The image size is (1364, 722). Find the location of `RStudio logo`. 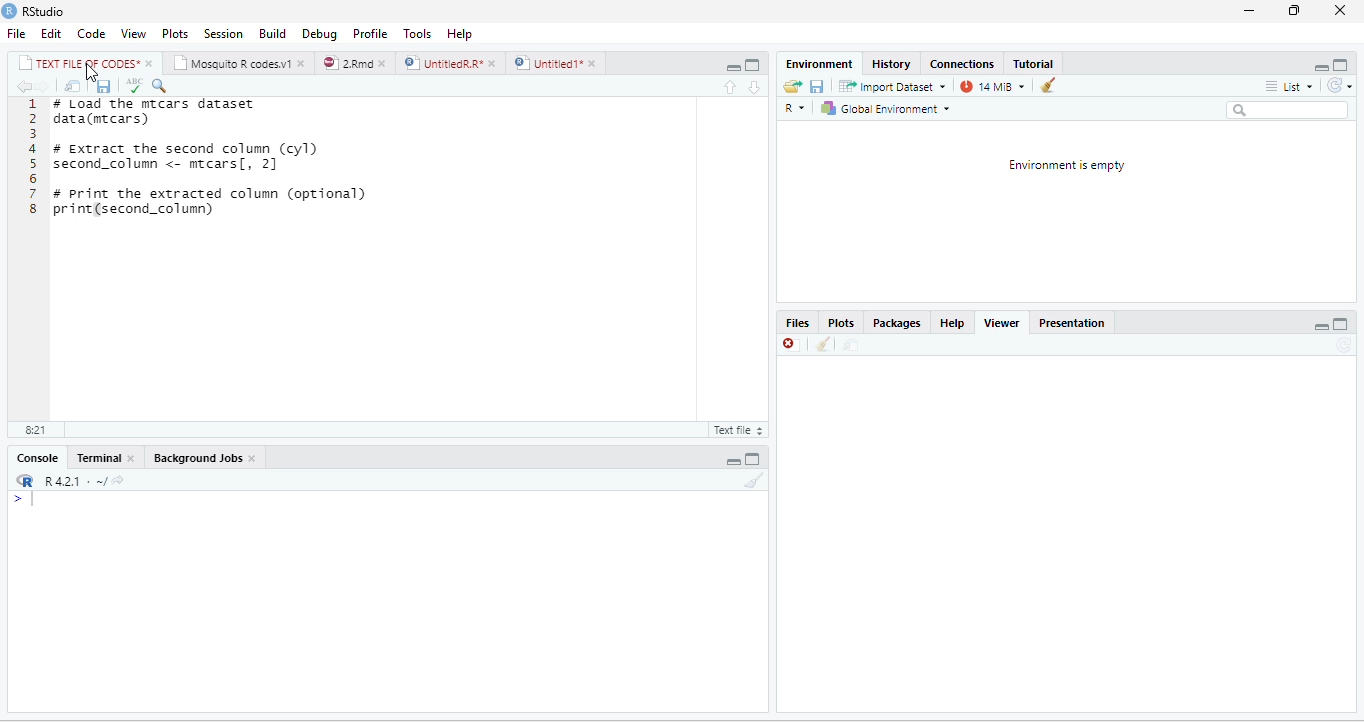

RStudio logo is located at coordinates (9, 11).